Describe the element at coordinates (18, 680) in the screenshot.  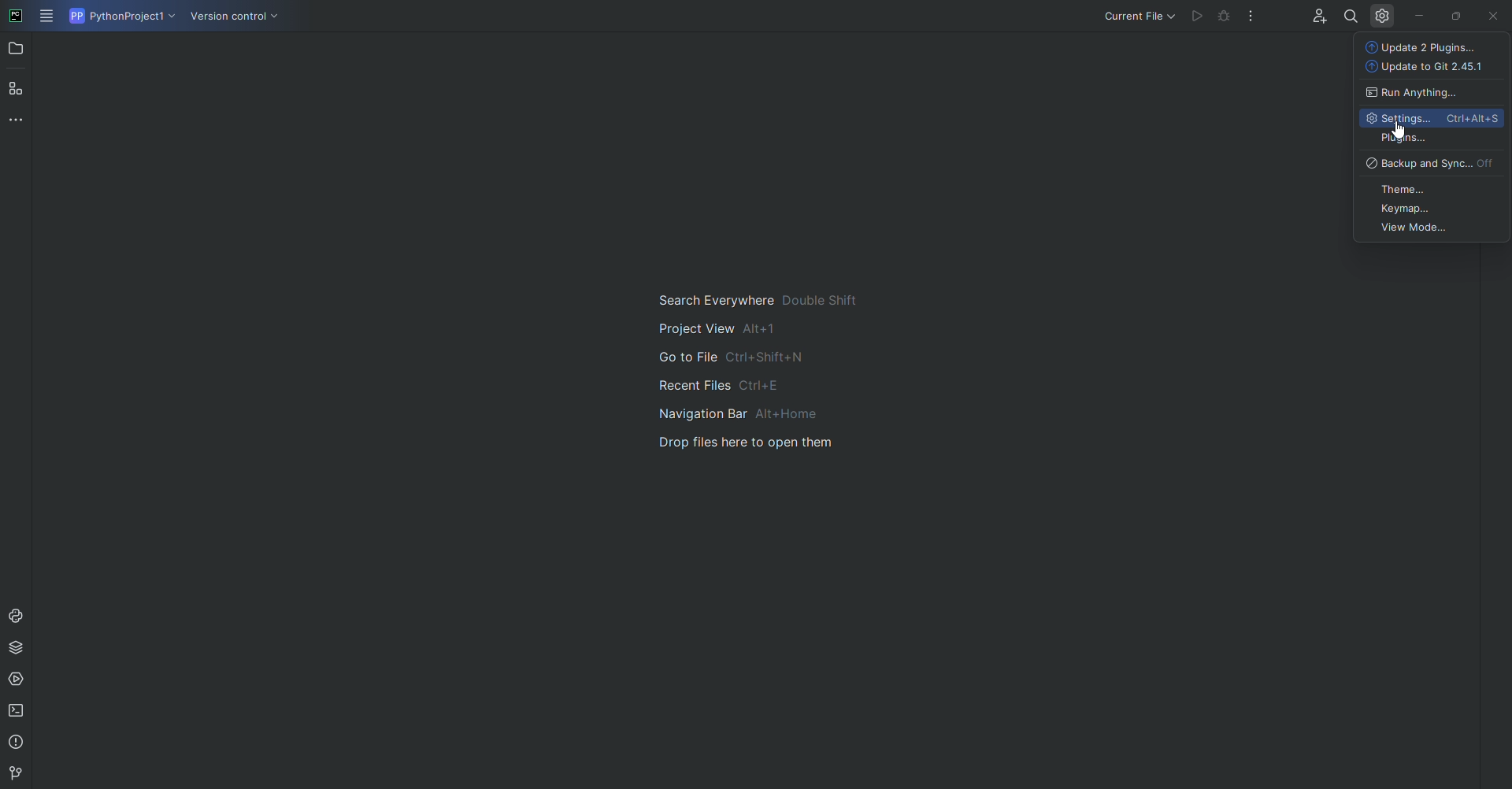
I see `Services` at that location.